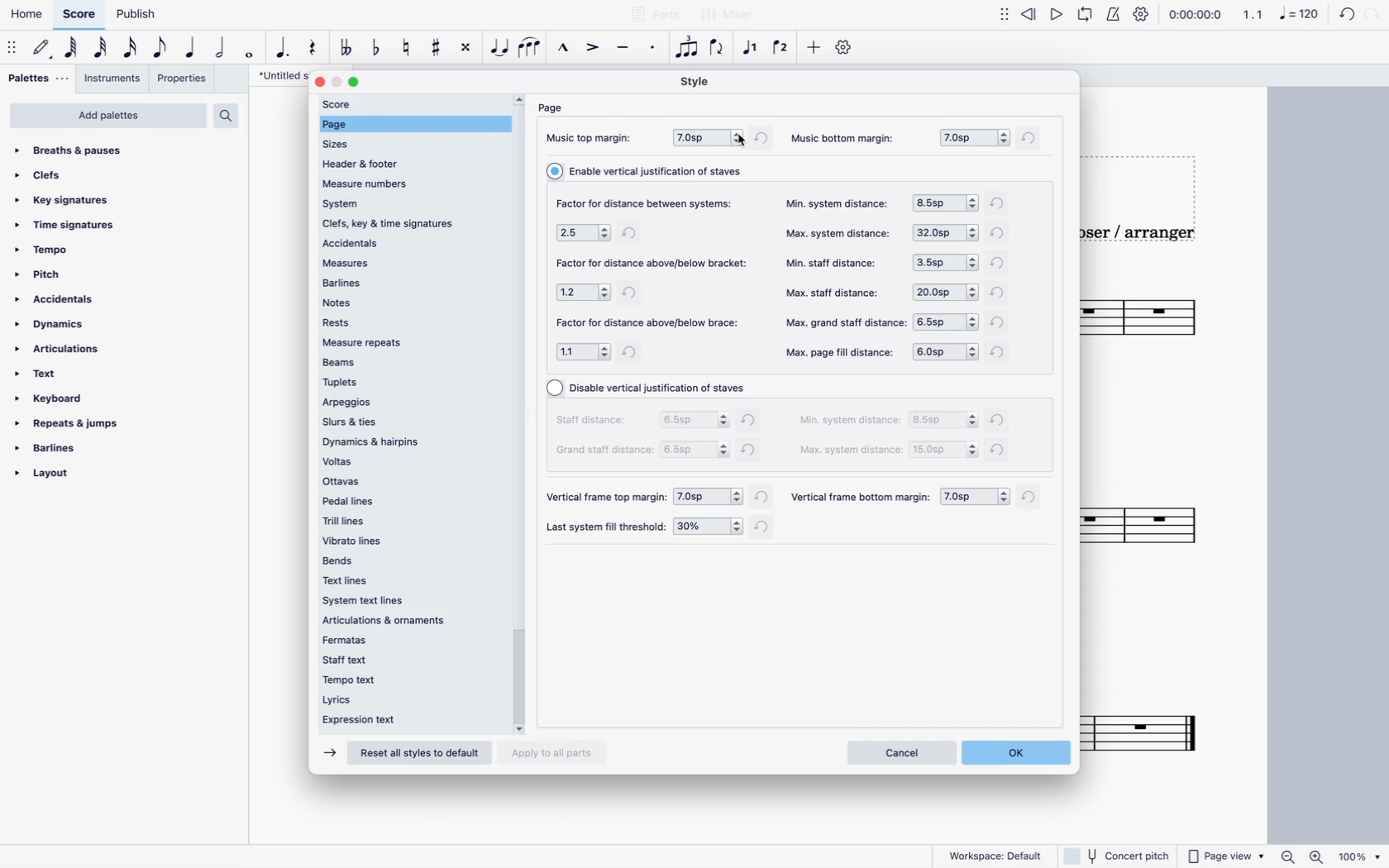 The height and width of the screenshot is (868, 1389). I want to click on Note 120, so click(1302, 17).